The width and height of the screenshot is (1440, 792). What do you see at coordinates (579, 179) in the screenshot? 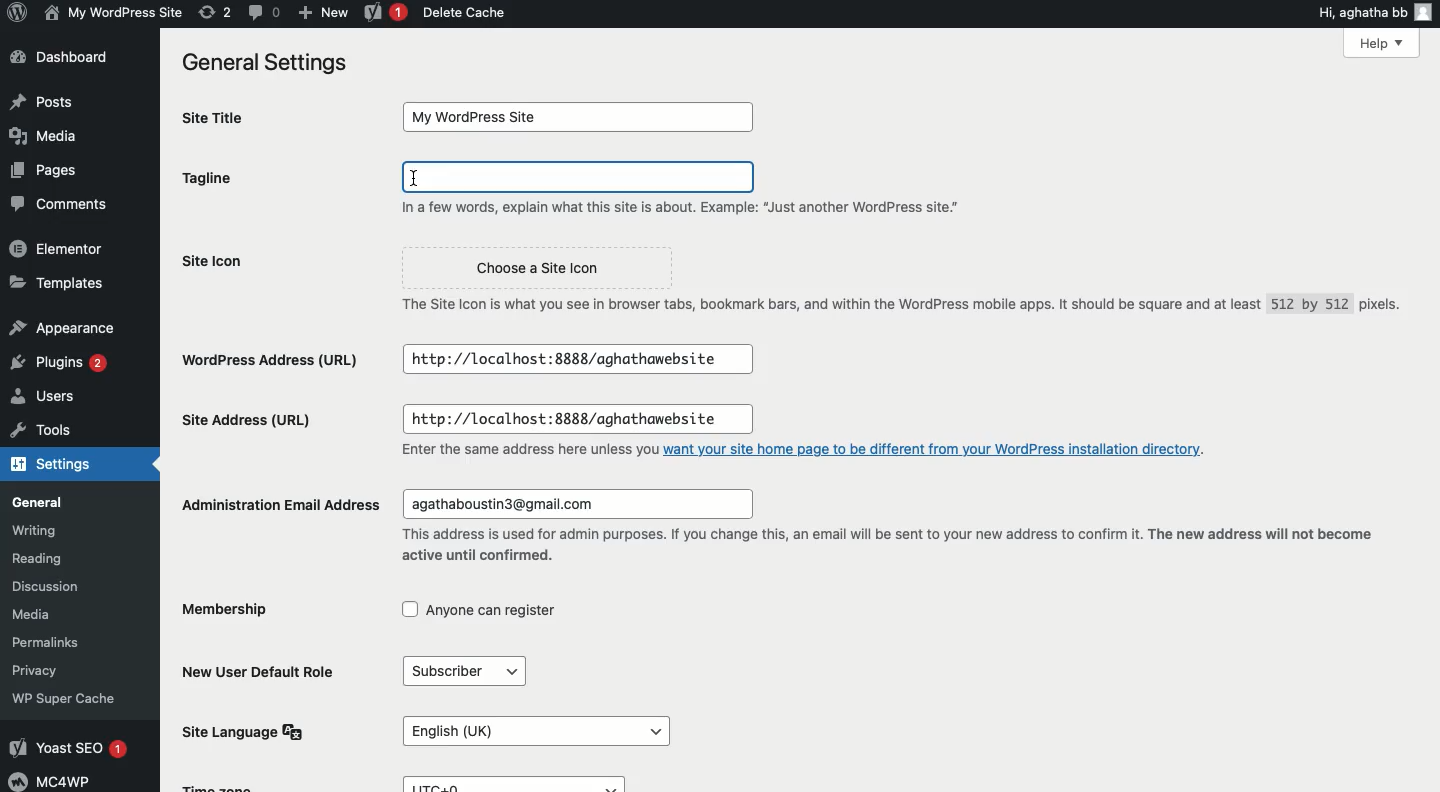
I see `Typing ` at bounding box center [579, 179].